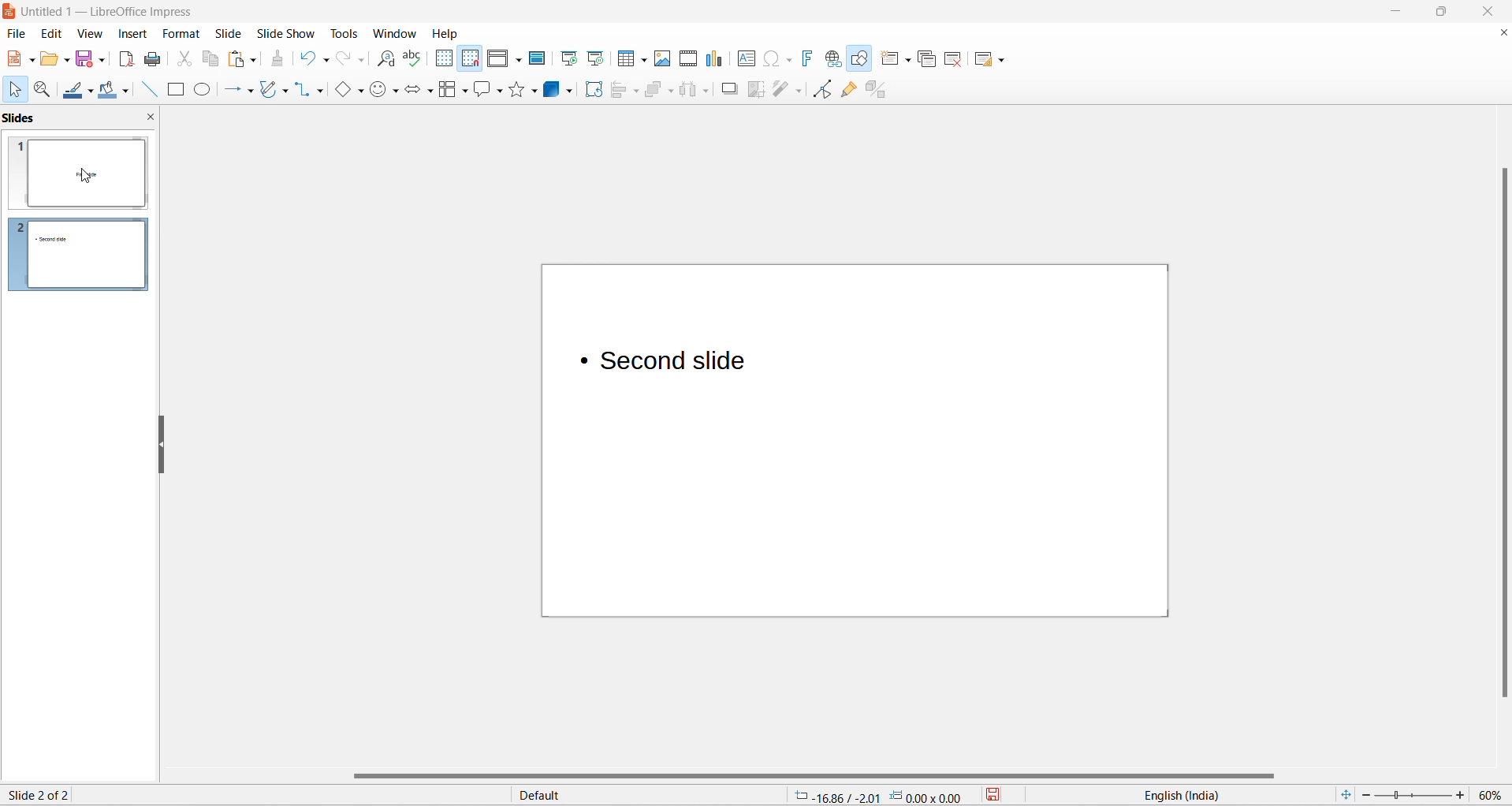  What do you see at coordinates (177, 91) in the screenshot?
I see `rectangle` at bounding box center [177, 91].